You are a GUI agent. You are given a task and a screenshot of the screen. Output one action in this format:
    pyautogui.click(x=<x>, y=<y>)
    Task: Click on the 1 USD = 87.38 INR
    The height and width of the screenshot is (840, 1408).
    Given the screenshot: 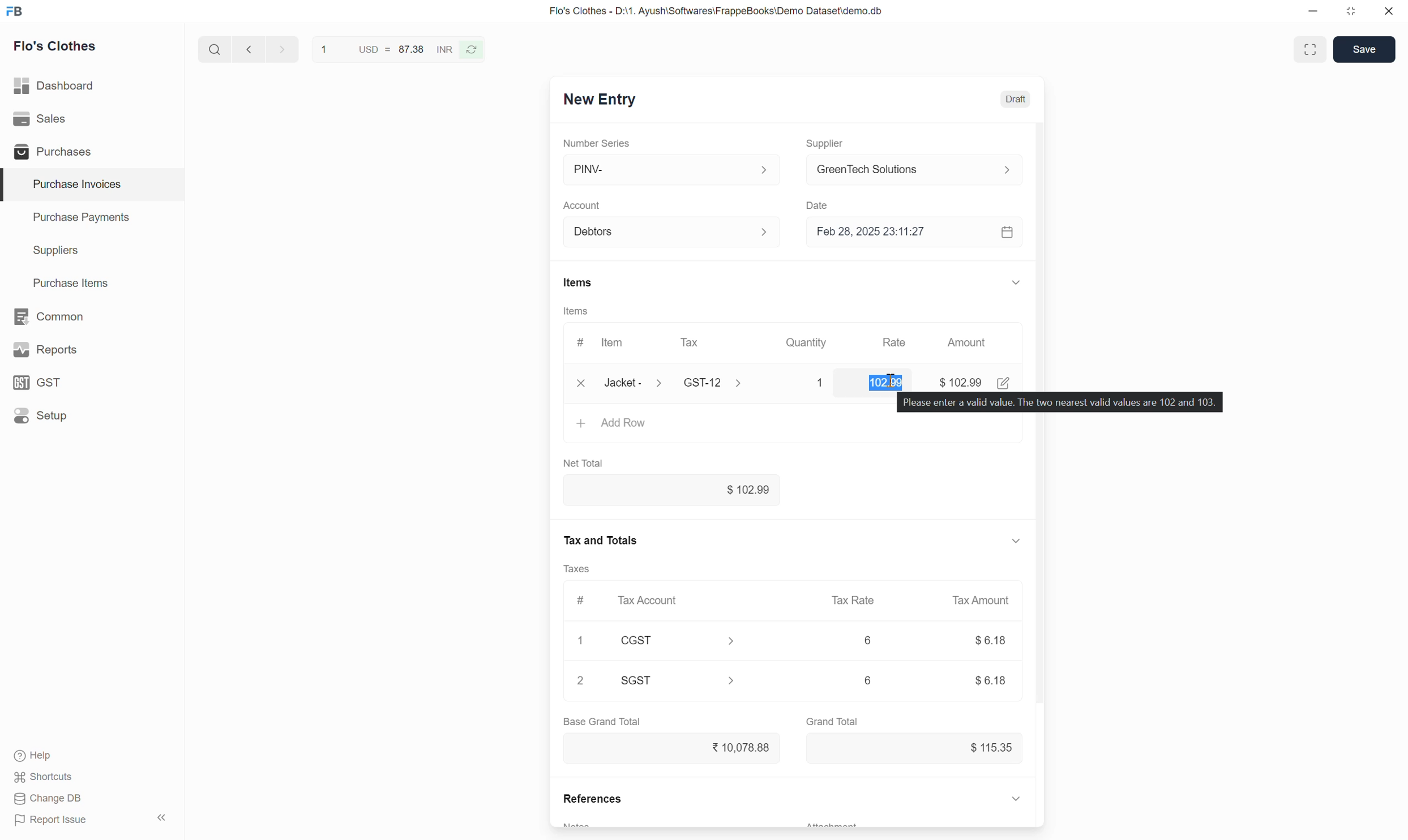 What is the action you would take?
    pyautogui.click(x=384, y=49)
    